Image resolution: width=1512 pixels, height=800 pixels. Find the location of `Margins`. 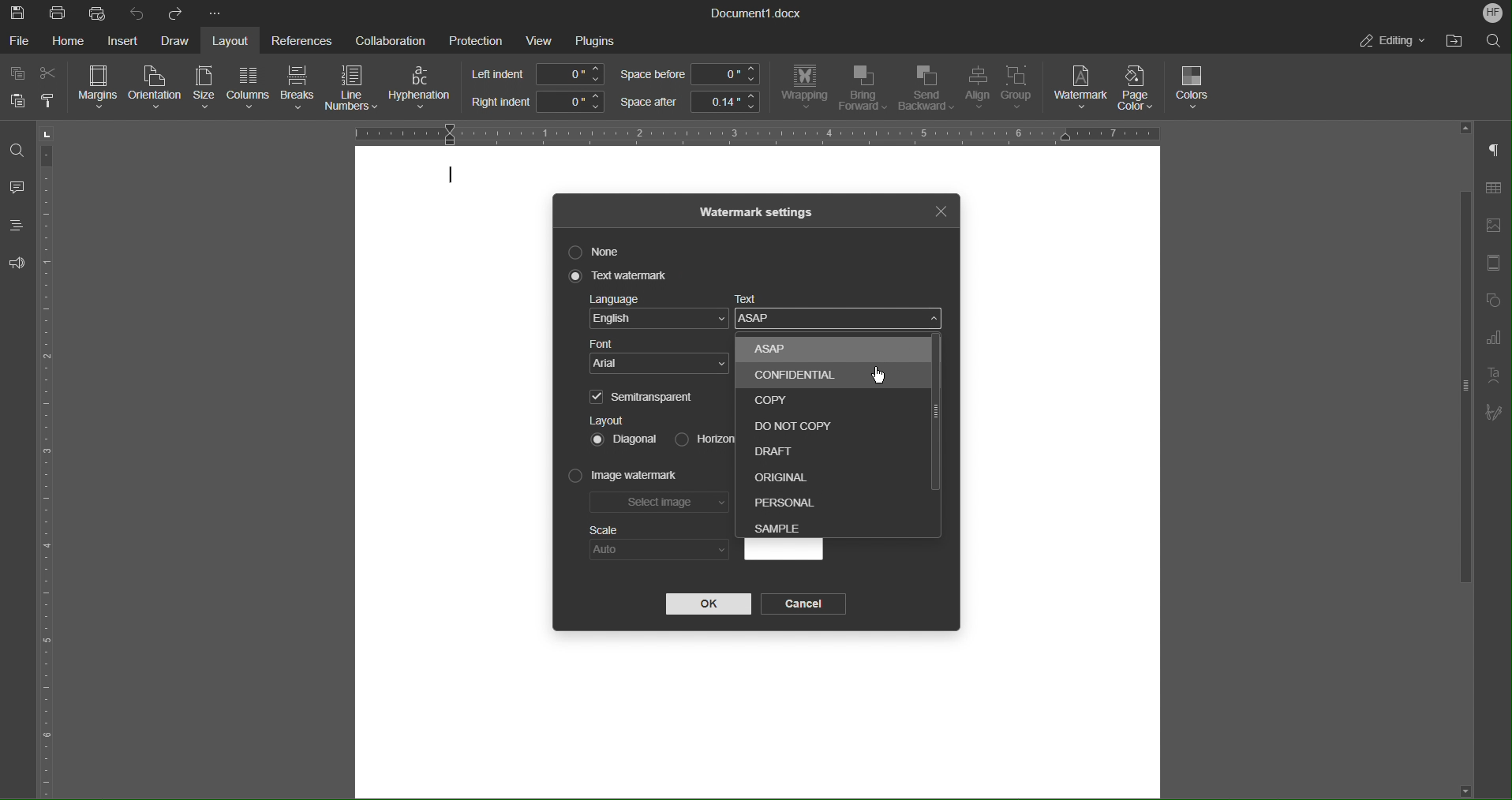

Margins is located at coordinates (99, 88).